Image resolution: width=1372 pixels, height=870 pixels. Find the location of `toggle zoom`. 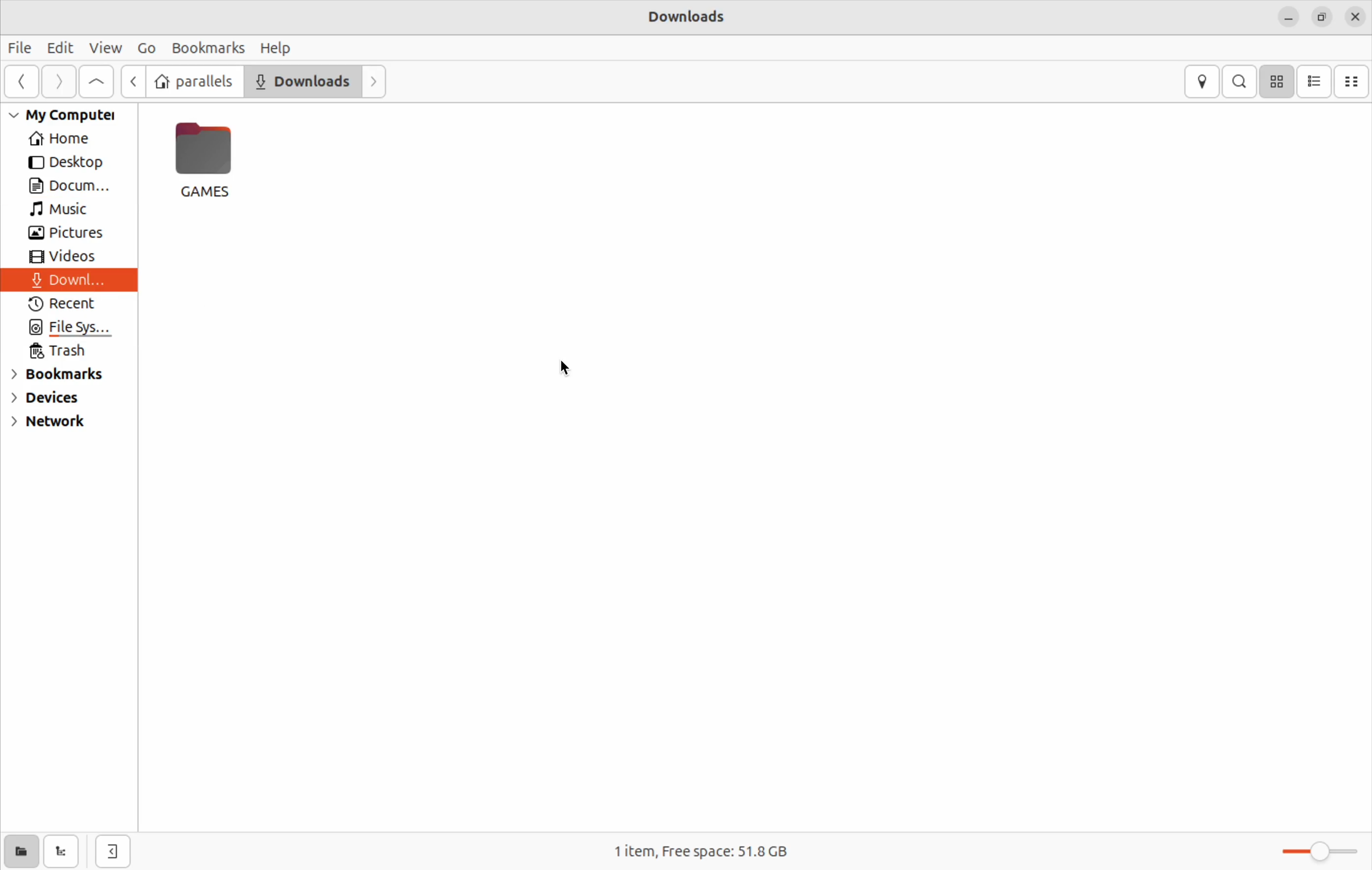

toggle zoom is located at coordinates (1314, 851).